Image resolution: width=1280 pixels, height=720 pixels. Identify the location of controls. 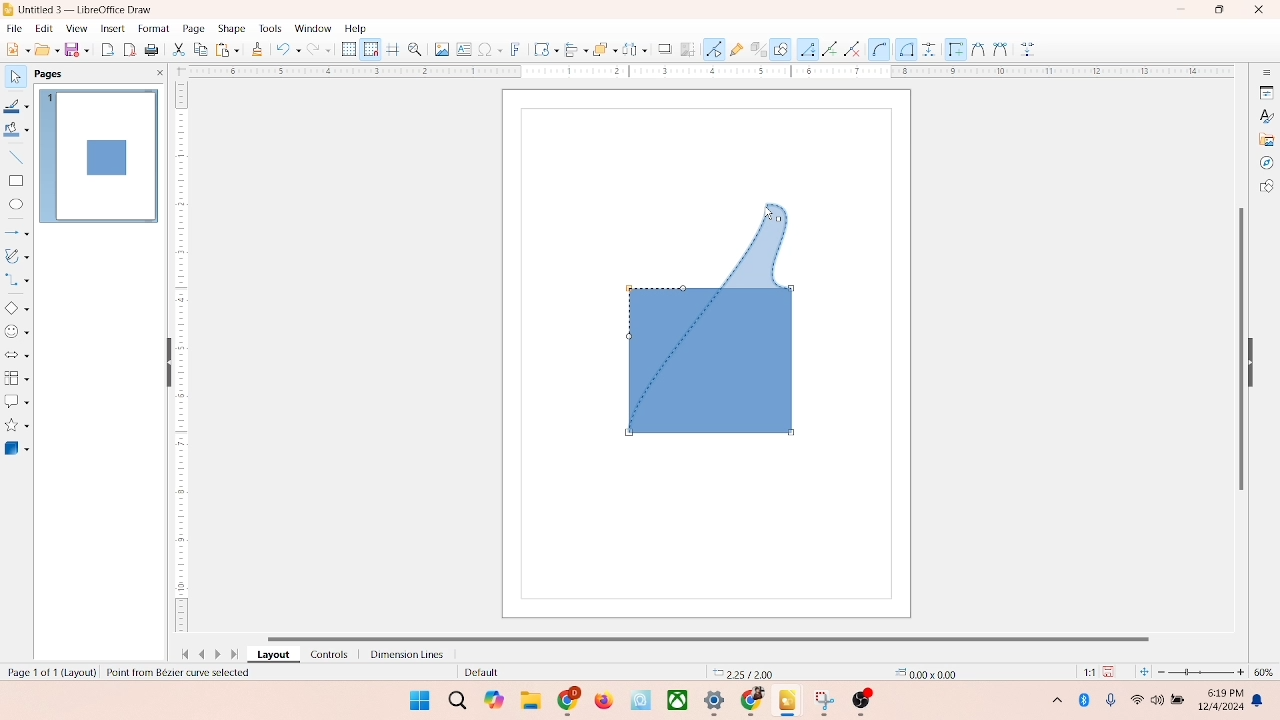
(324, 654).